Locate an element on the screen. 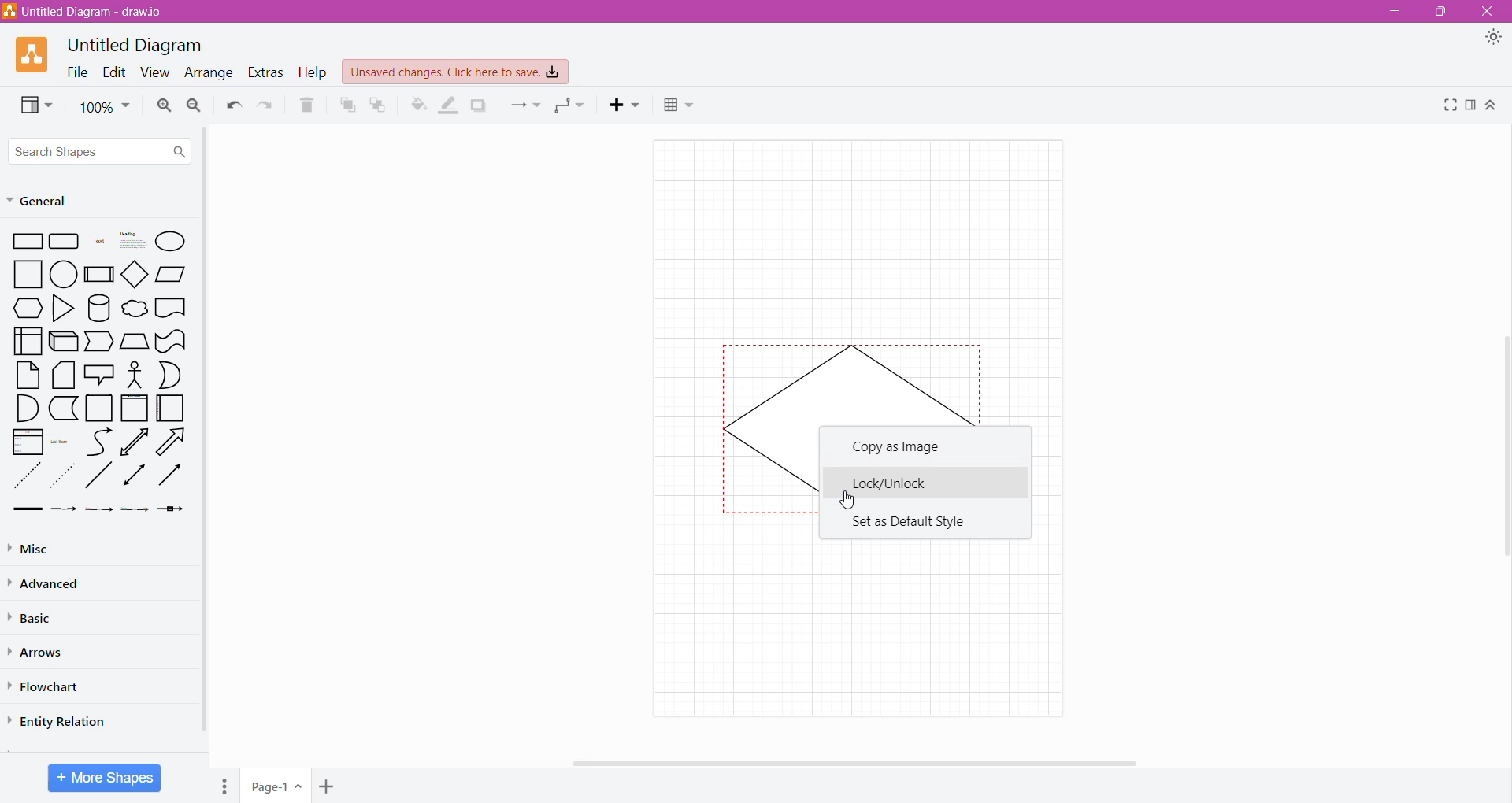 The image size is (1512, 803).  is located at coordinates (227, 783).